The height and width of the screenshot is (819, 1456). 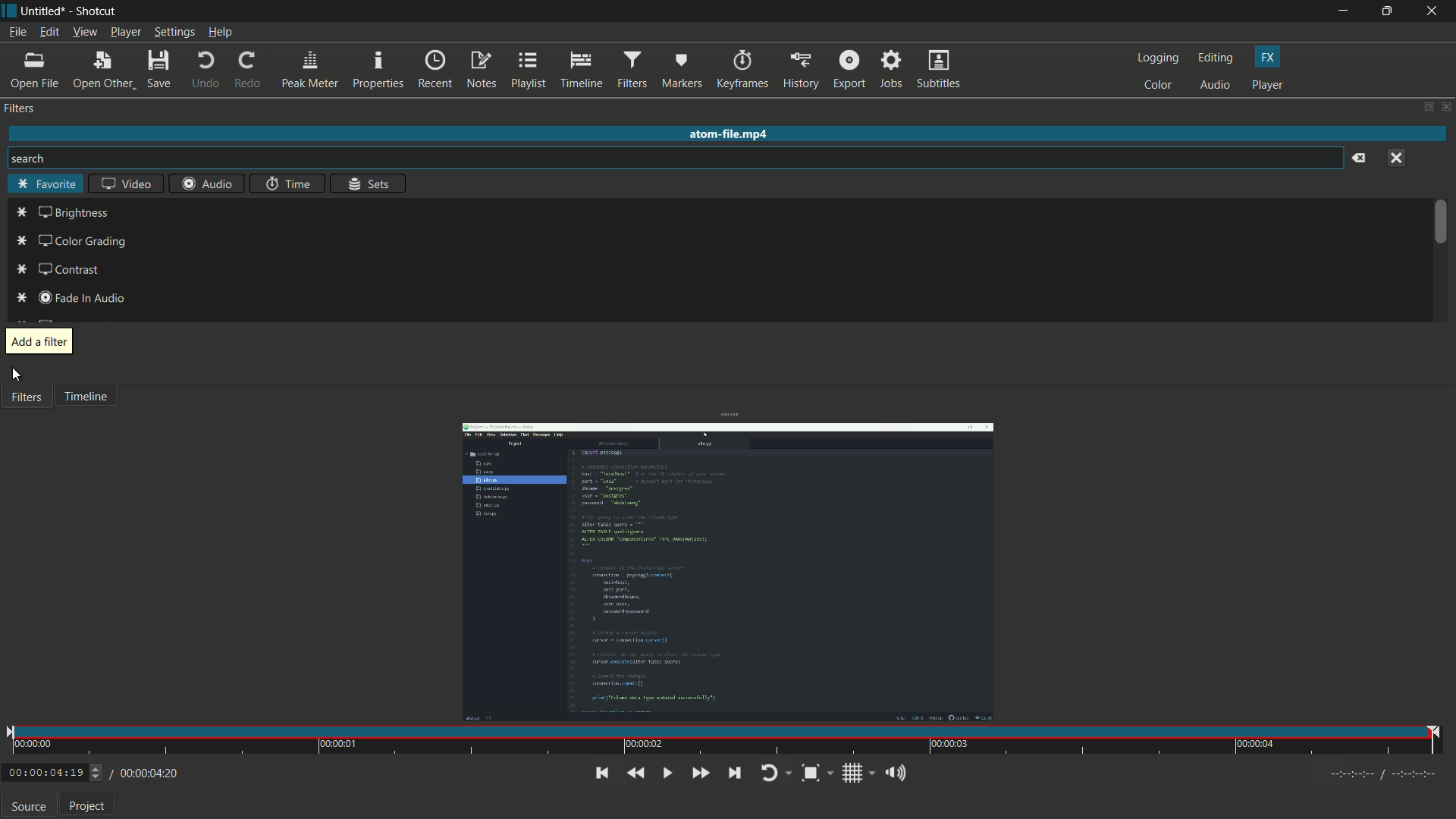 What do you see at coordinates (1268, 58) in the screenshot?
I see `fx` at bounding box center [1268, 58].